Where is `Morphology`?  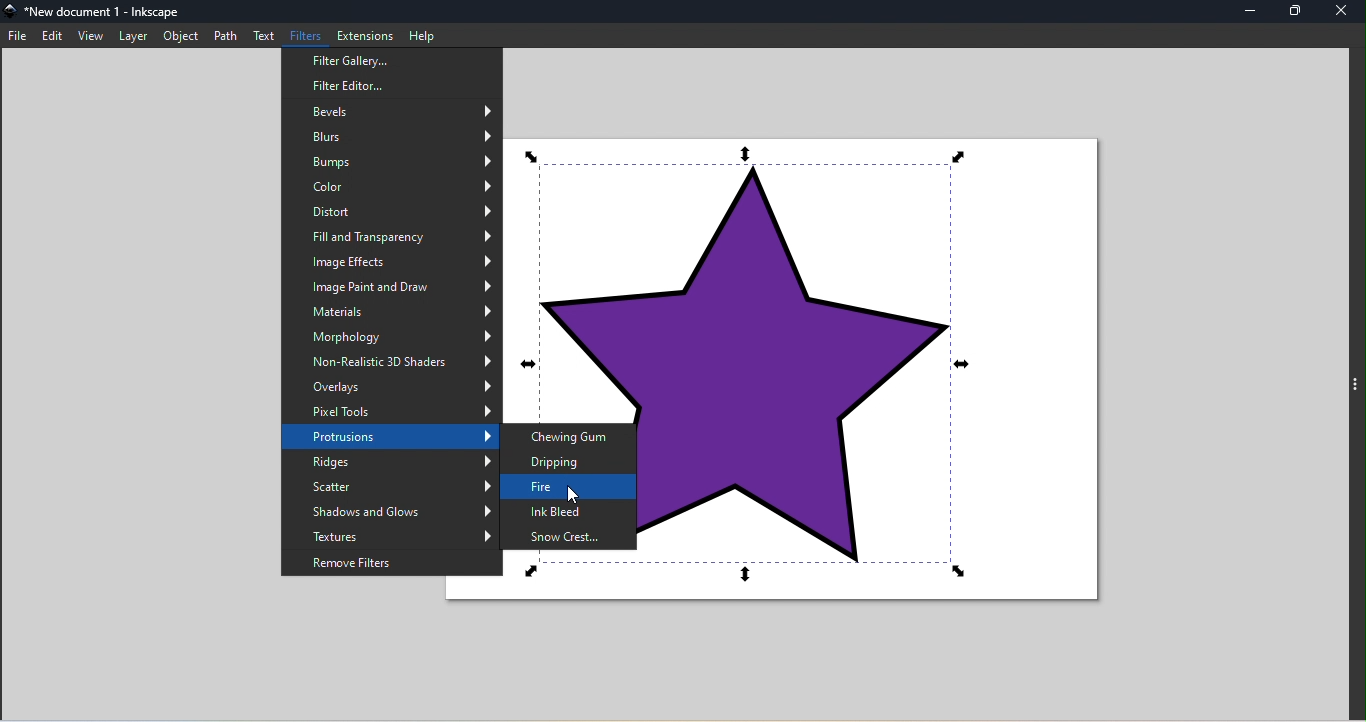 Morphology is located at coordinates (392, 337).